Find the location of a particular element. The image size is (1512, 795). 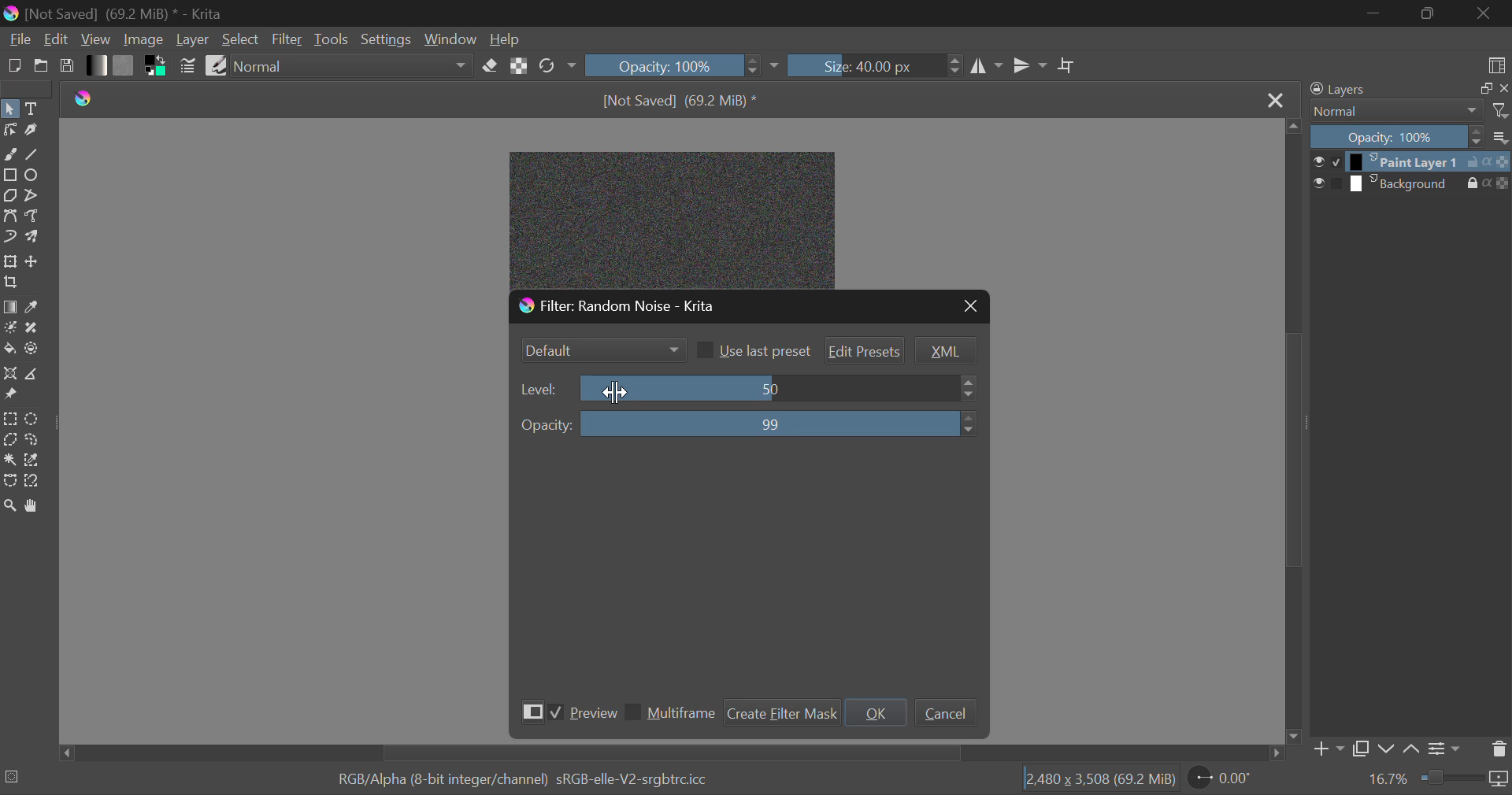

Scroll Bar is located at coordinates (1293, 429).